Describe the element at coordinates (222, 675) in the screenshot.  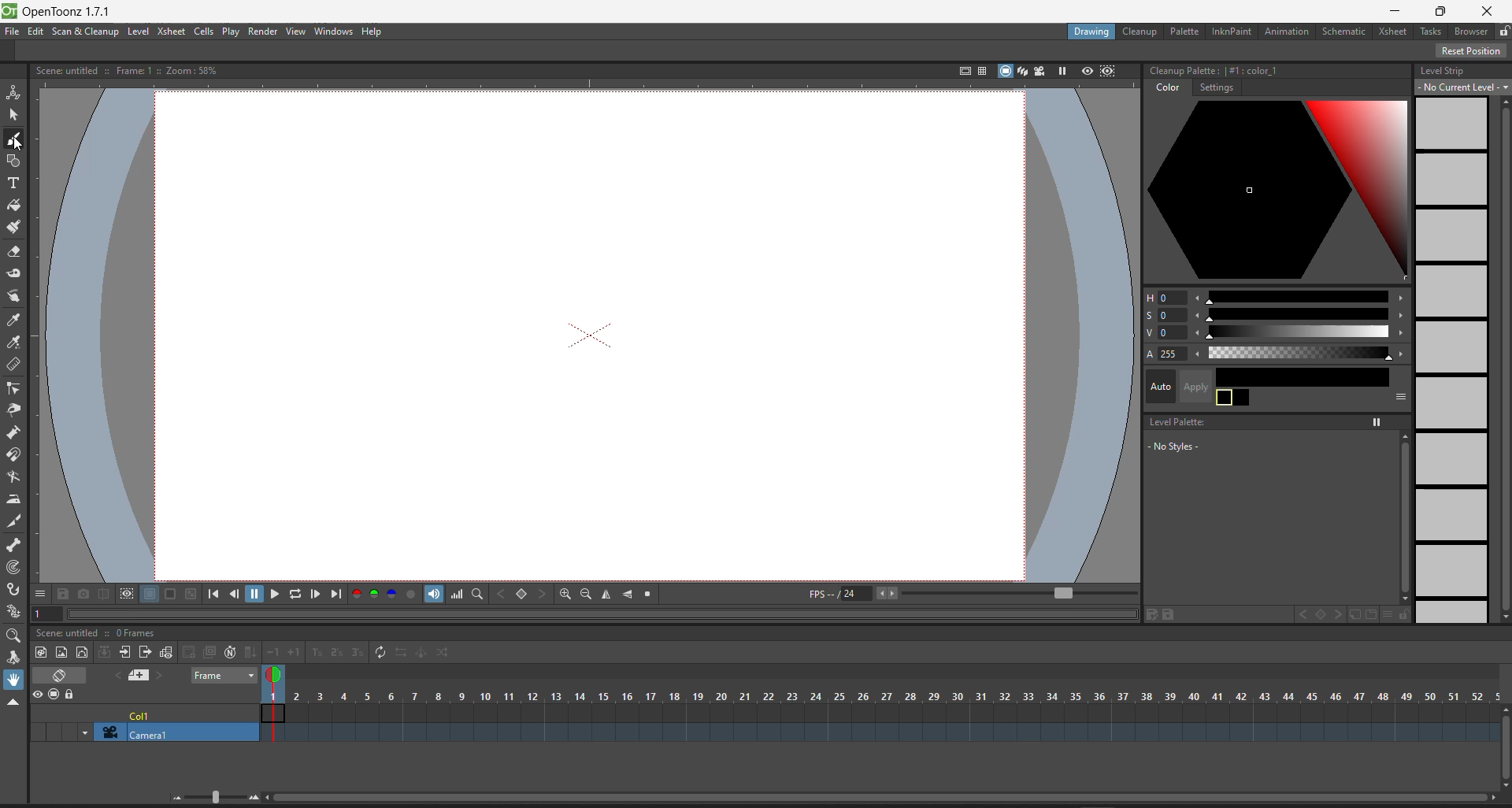
I see `frame selector` at that location.